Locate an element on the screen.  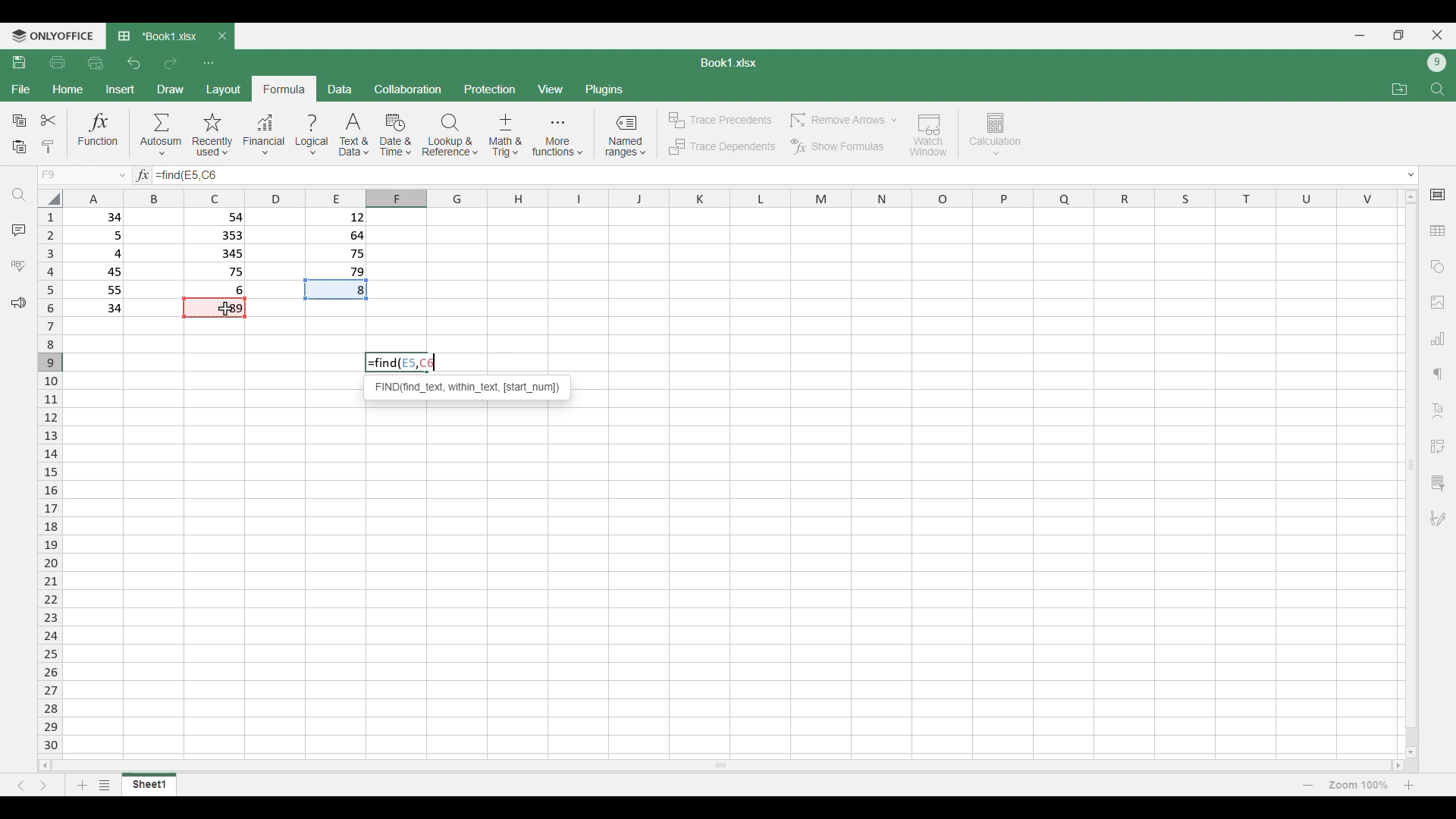
Insert images is located at coordinates (1438, 303).